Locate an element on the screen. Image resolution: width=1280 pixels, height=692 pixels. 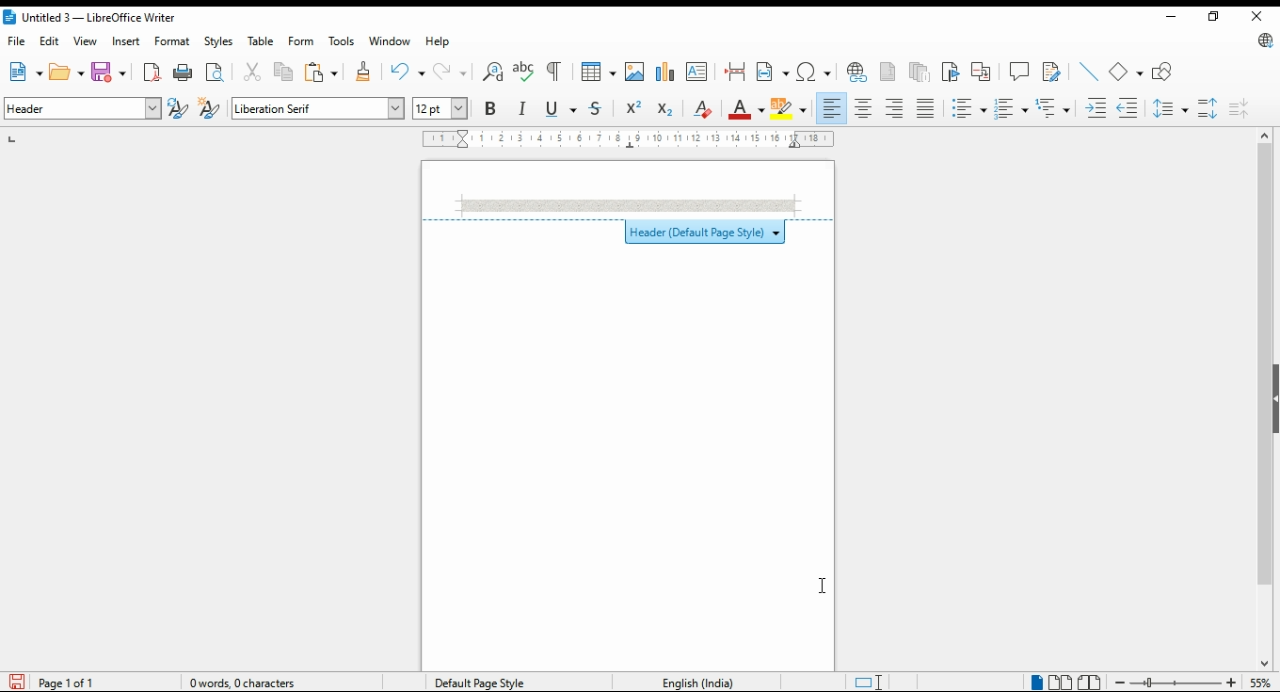
insert line is located at coordinates (1089, 71).